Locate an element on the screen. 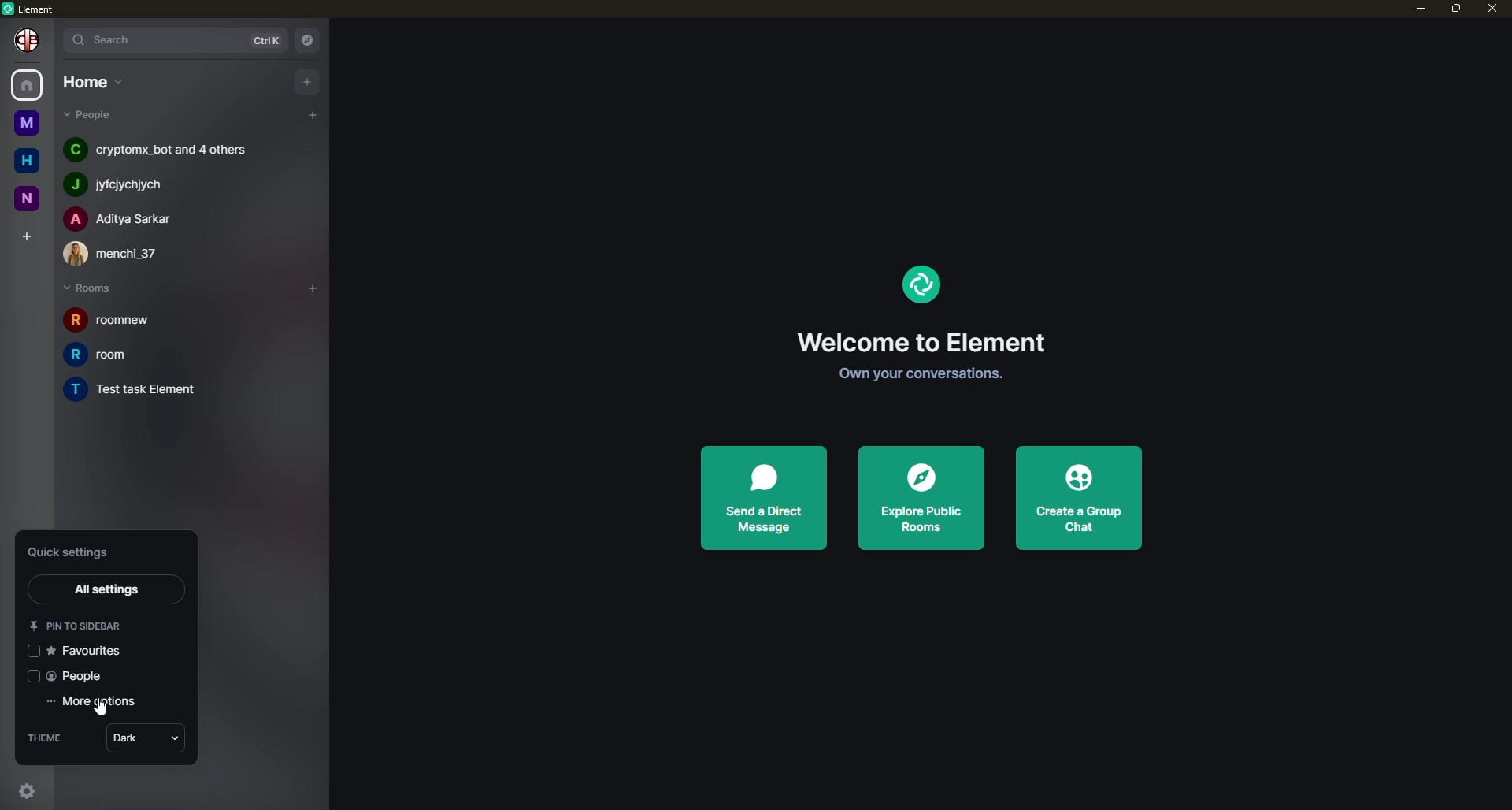 Image resolution: width=1512 pixels, height=810 pixels. navigator is located at coordinates (310, 39).